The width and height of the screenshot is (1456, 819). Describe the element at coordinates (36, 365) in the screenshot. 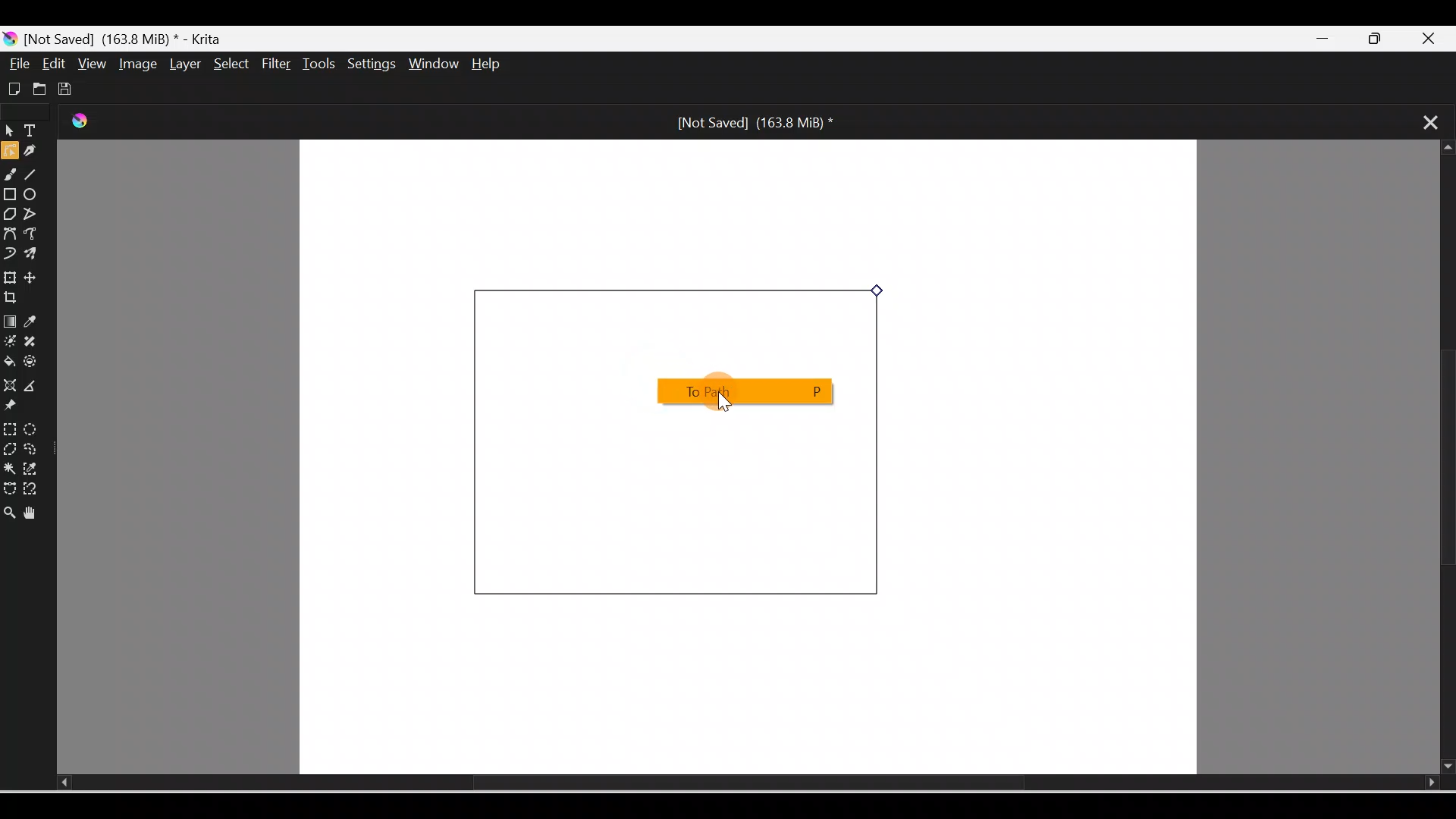

I see `Enclose and fill tool` at that location.